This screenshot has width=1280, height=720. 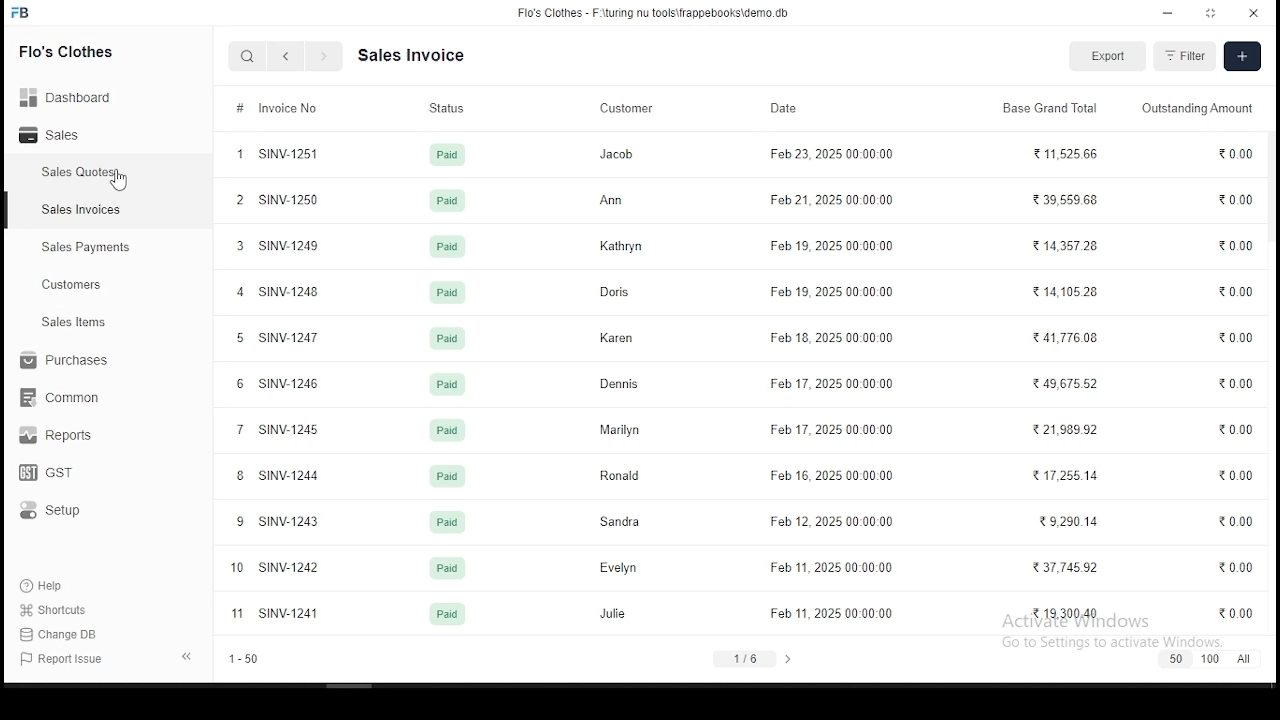 I want to click on sales, so click(x=78, y=172).